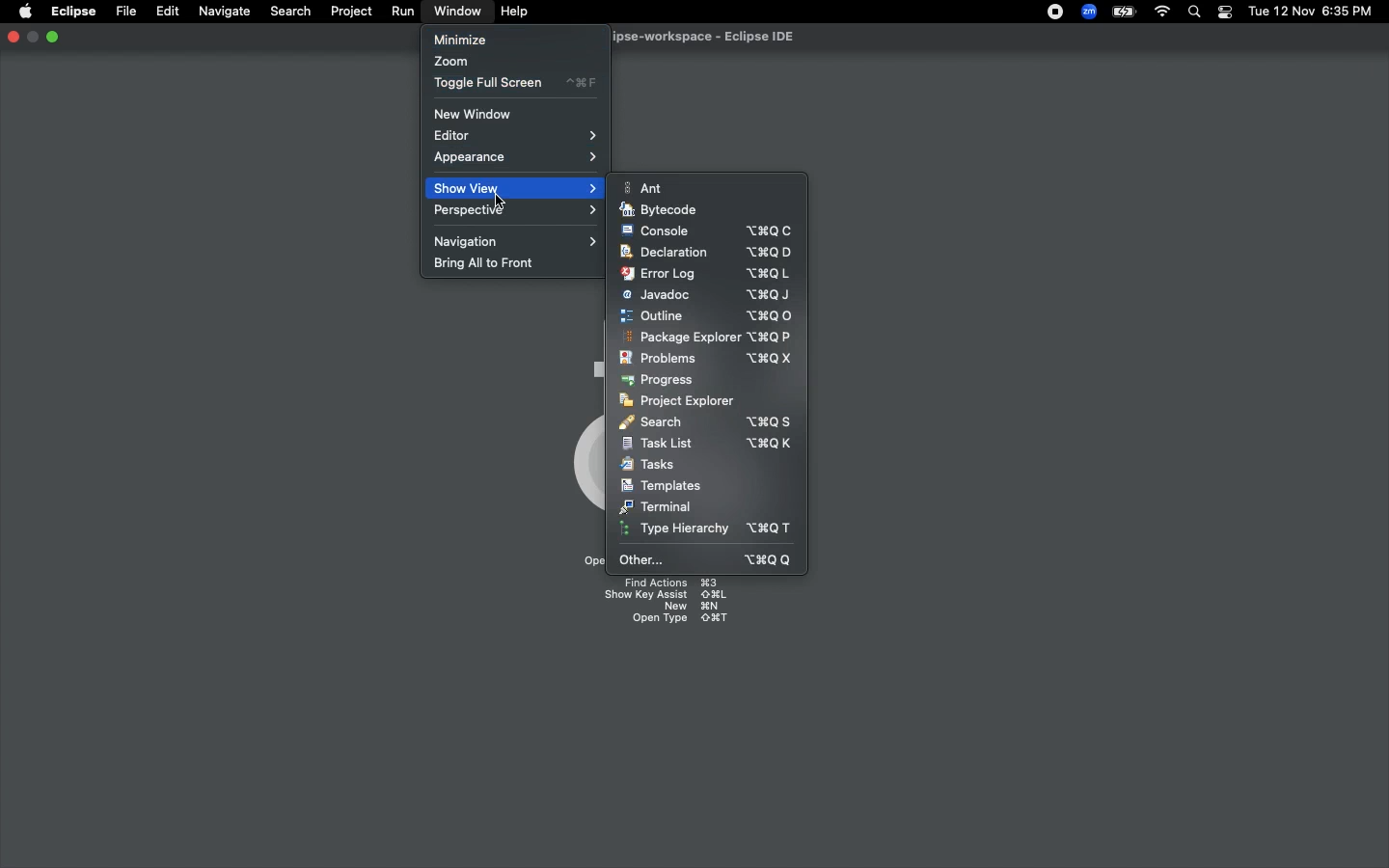 This screenshot has height=868, width=1389. What do you see at coordinates (660, 380) in the screenshot?
I see `Progress` at bounding box center [660, 380].